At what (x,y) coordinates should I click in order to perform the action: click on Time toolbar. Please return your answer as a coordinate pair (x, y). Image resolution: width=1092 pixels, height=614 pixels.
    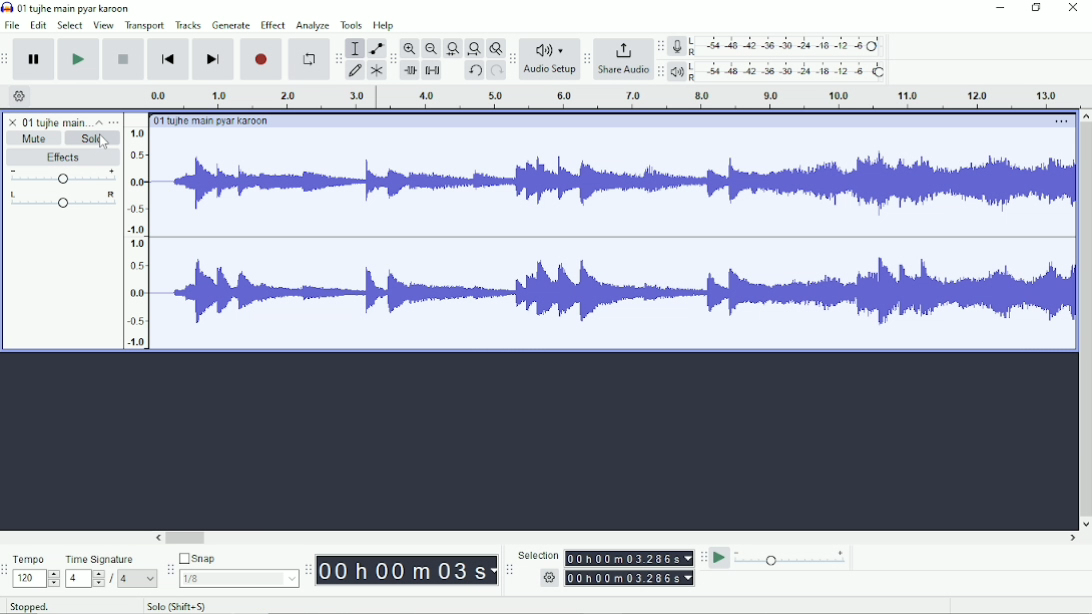
    Looking at the image, I should click on (406, 569).